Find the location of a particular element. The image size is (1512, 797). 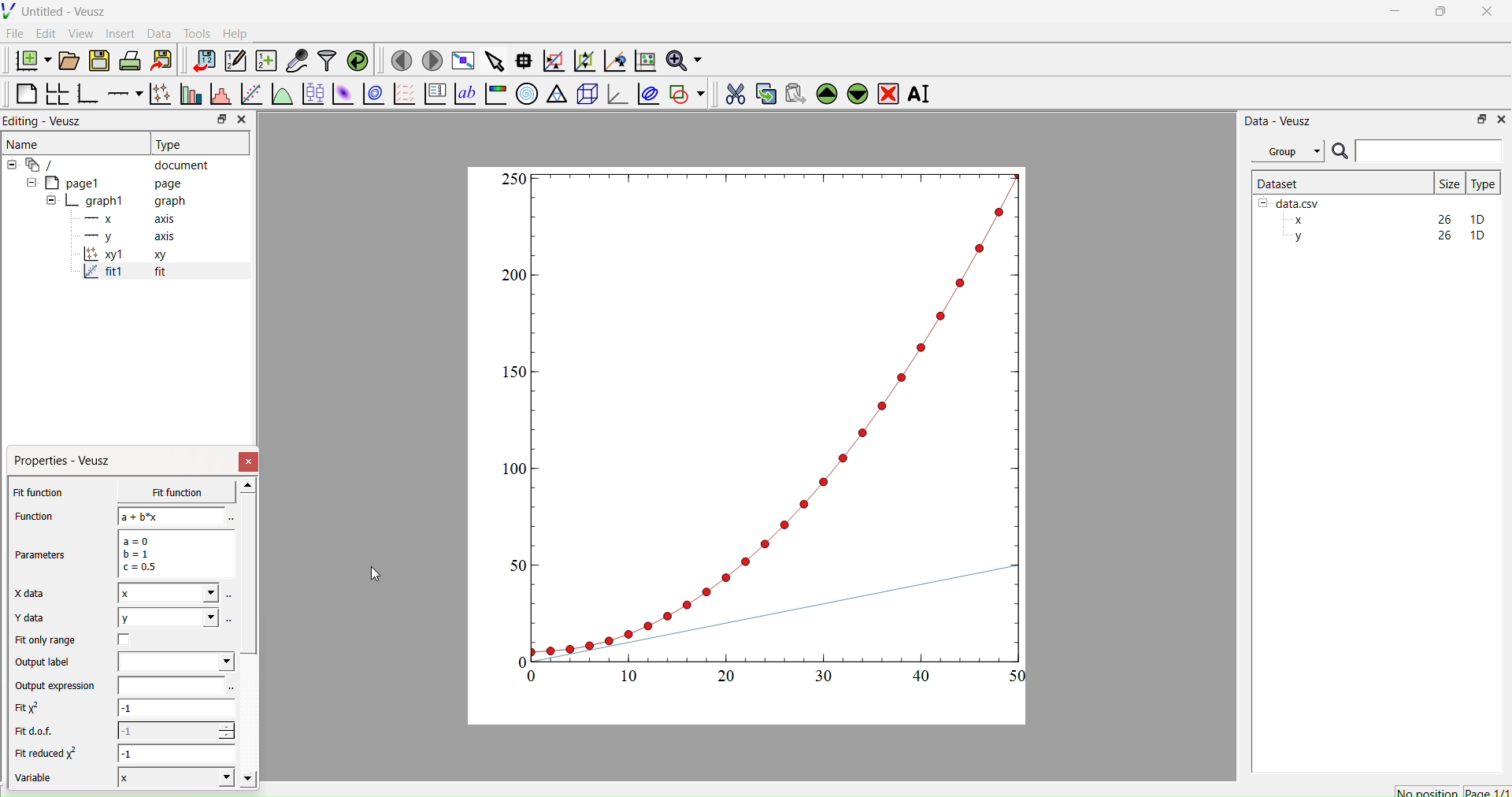

Select using dataset browser is located at coordinates (230, 599).